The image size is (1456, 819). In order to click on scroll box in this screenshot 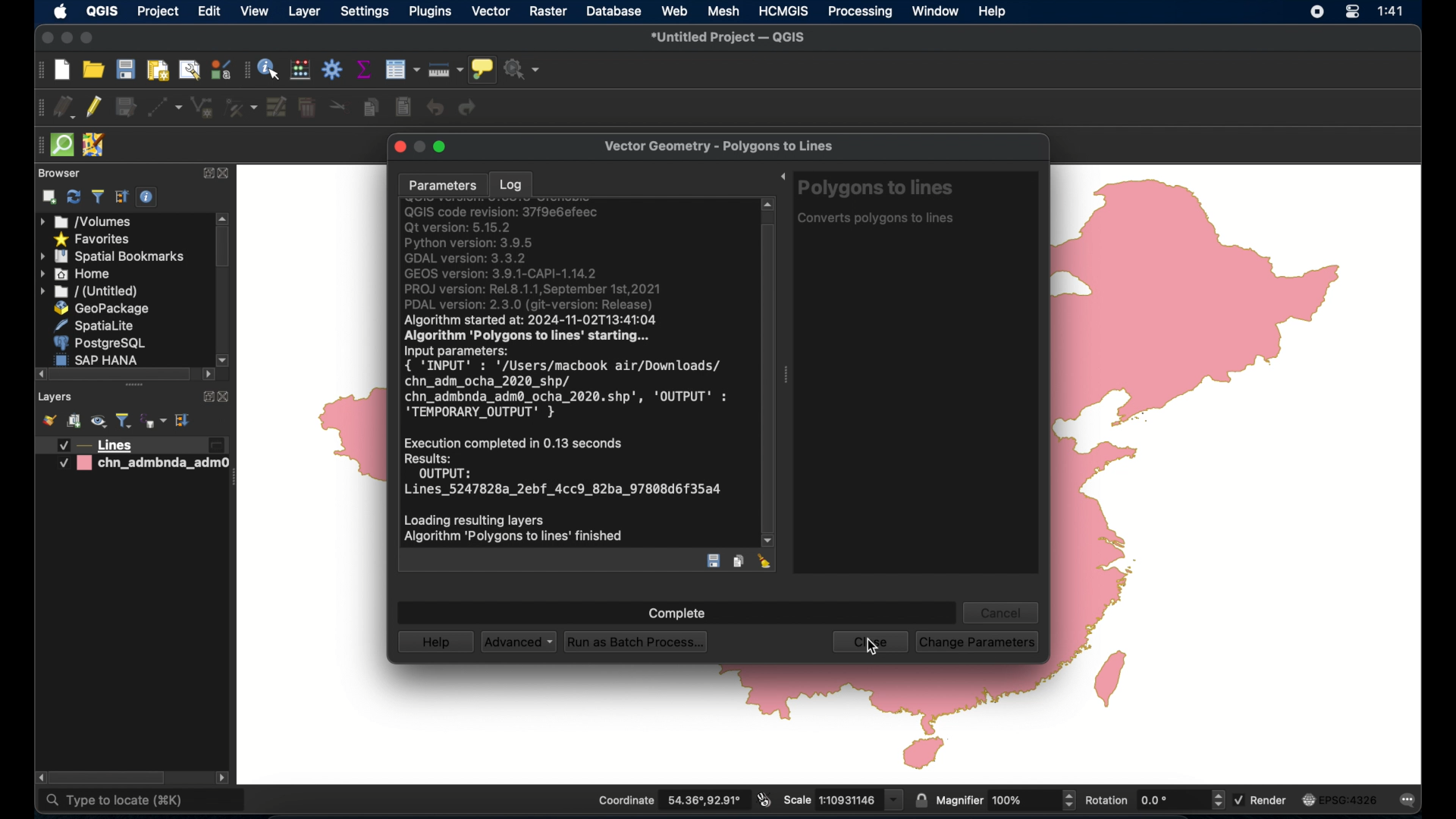, I will do `click(107, 777)`.